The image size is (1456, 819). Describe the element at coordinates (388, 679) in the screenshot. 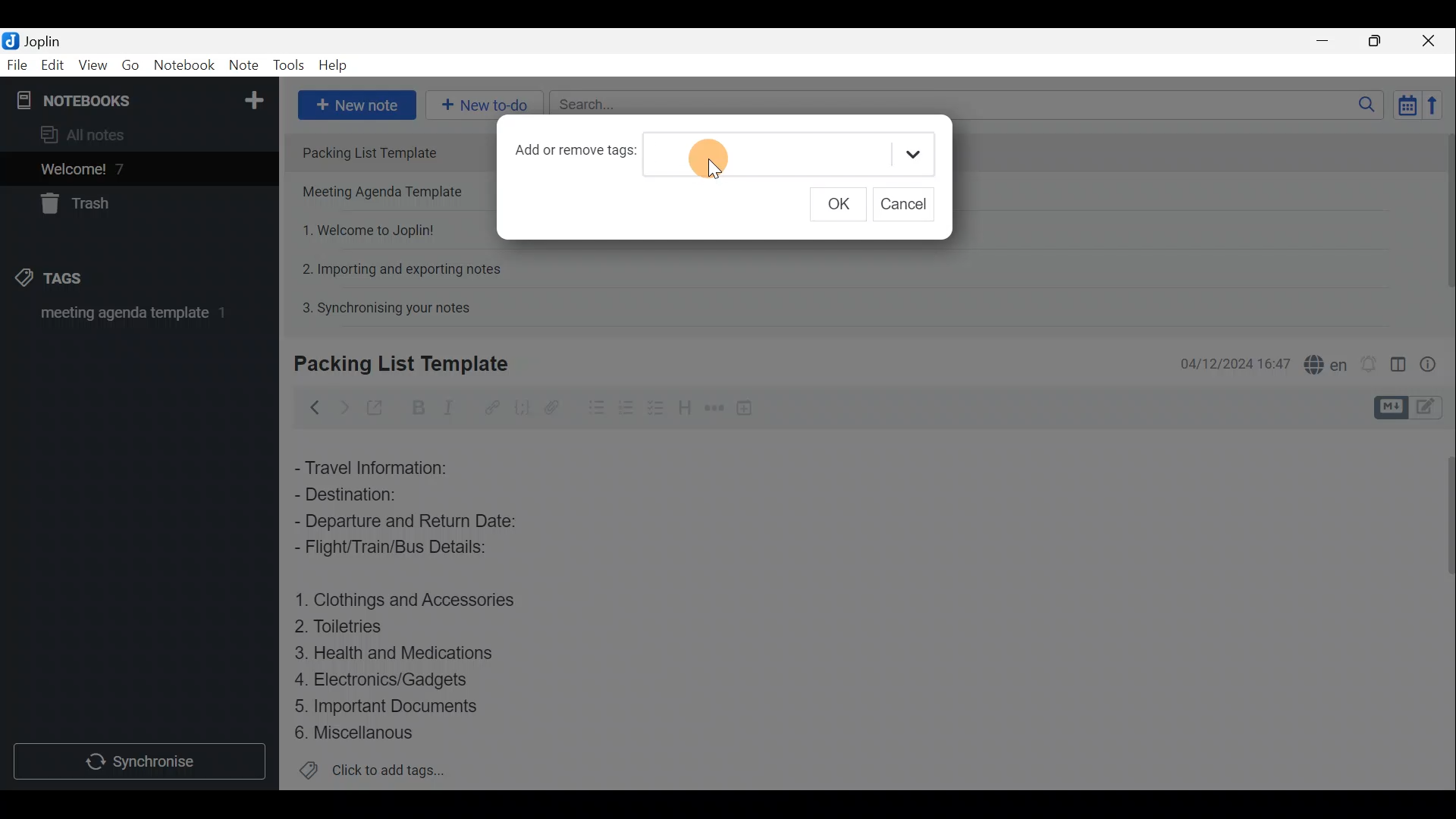

I see `Electronics/Gadgets` at that location.